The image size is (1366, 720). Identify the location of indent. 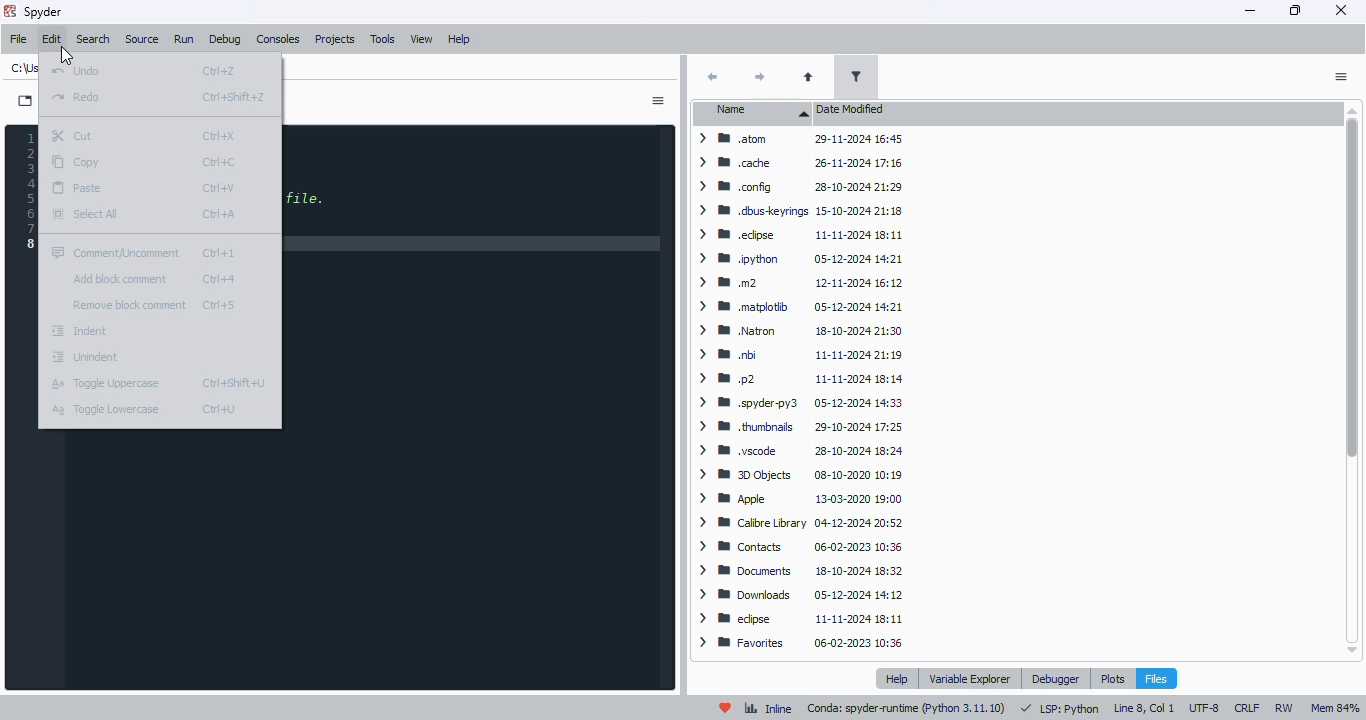
(80, 331).